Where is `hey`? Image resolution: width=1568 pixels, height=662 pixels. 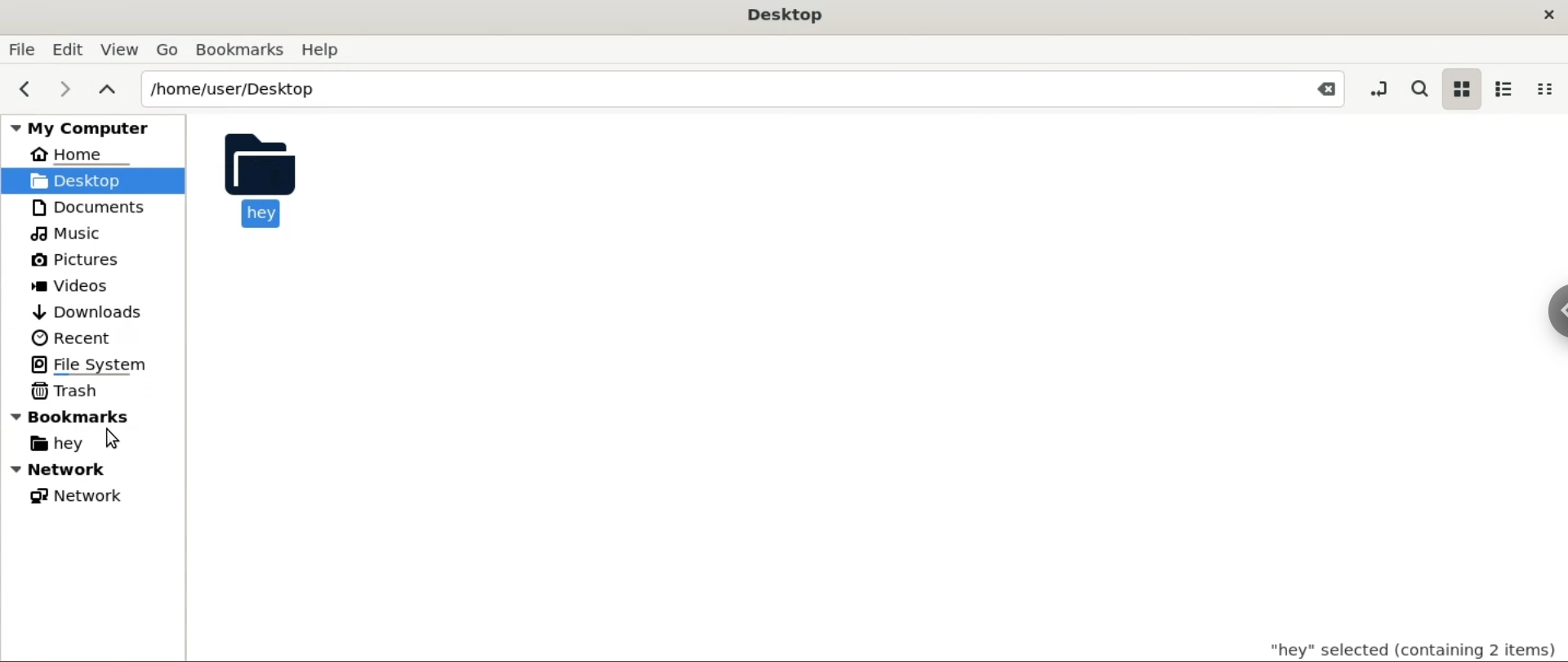 hey is located at coordinates (260, 179).